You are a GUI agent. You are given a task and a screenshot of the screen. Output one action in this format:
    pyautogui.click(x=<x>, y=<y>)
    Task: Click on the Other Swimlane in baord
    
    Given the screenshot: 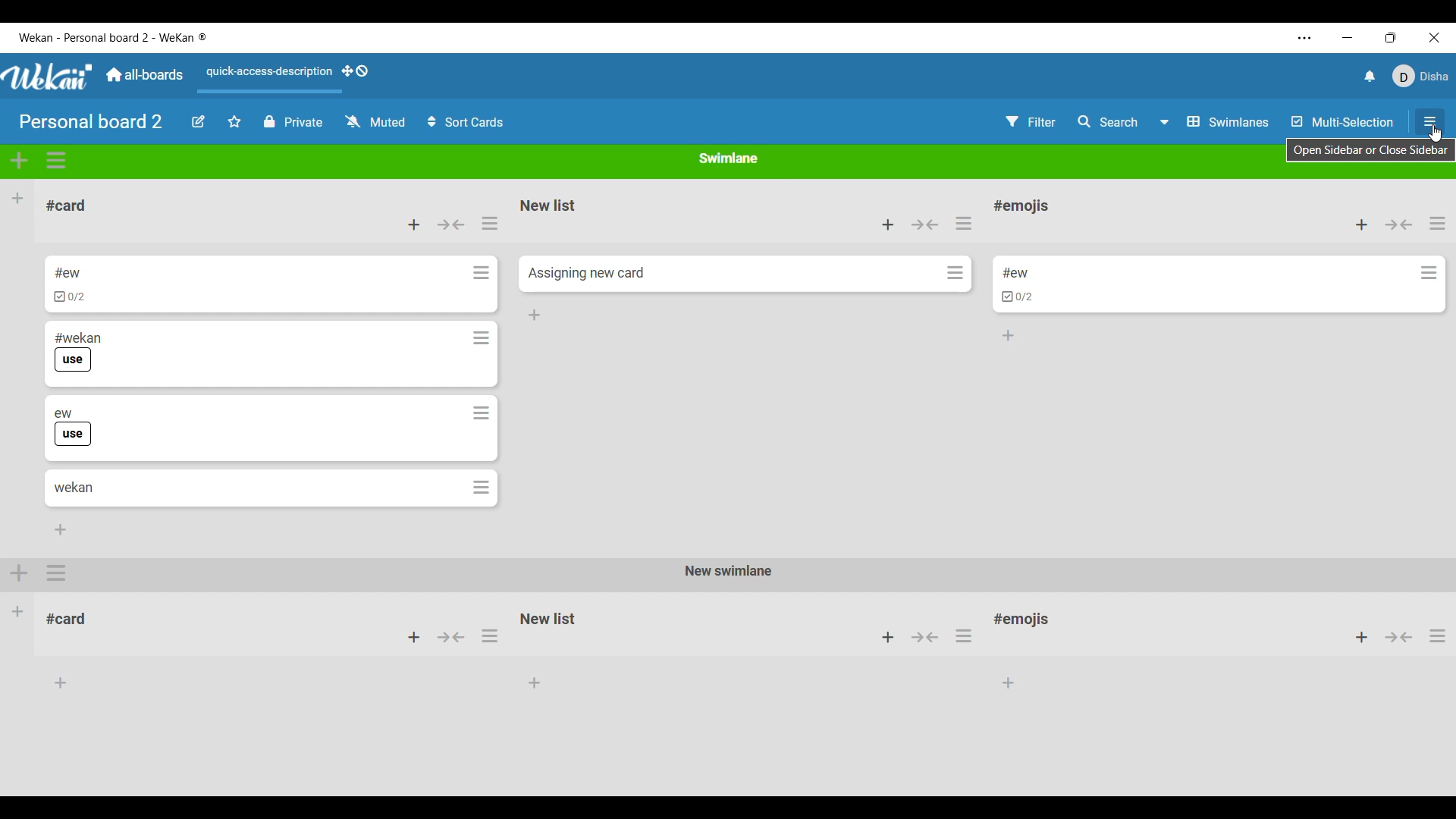 What is the action you would take?
    pyautogui.click(x=726, y=627)
    